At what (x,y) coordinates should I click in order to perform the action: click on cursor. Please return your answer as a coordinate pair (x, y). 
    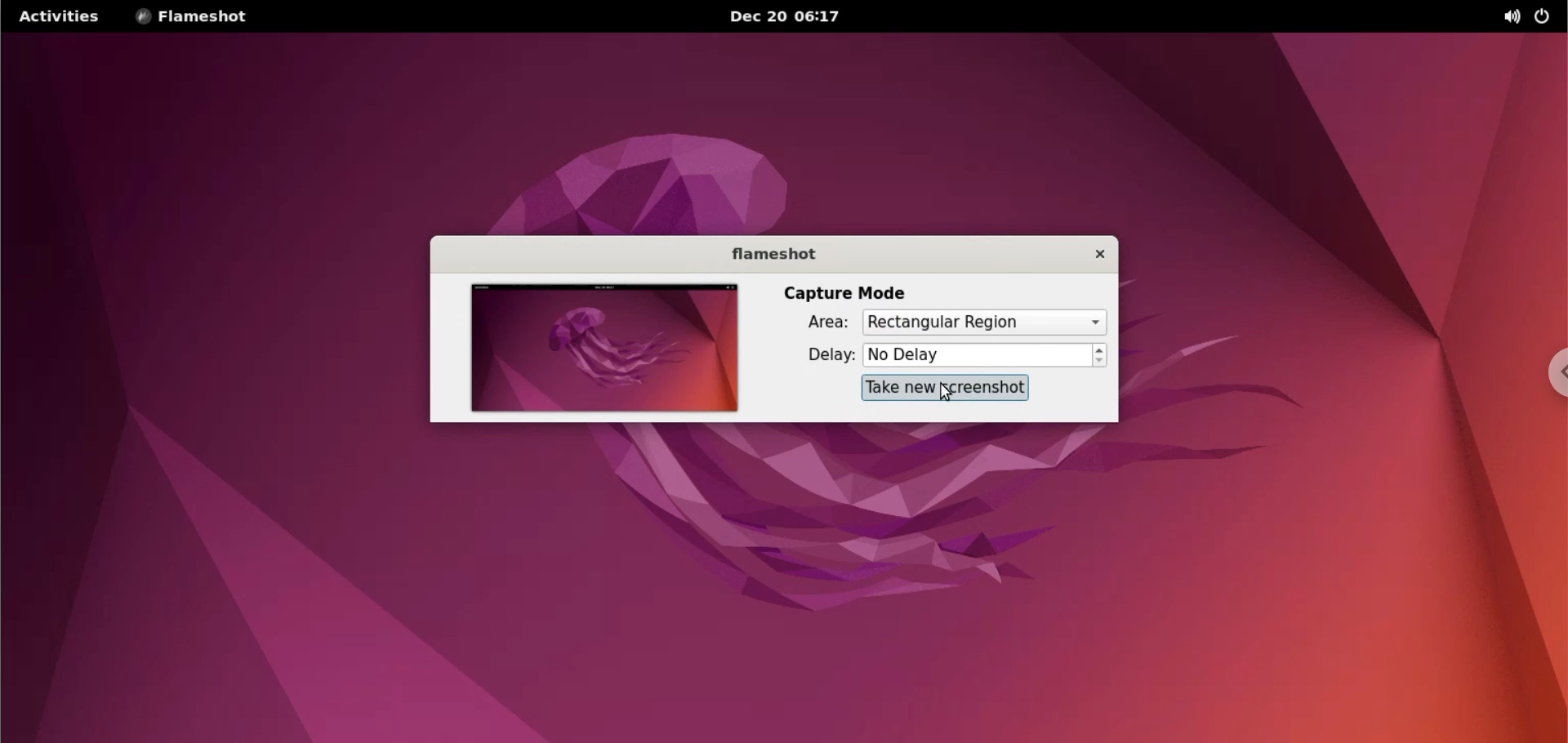
    Looking at the image, I should click on (949, 393).